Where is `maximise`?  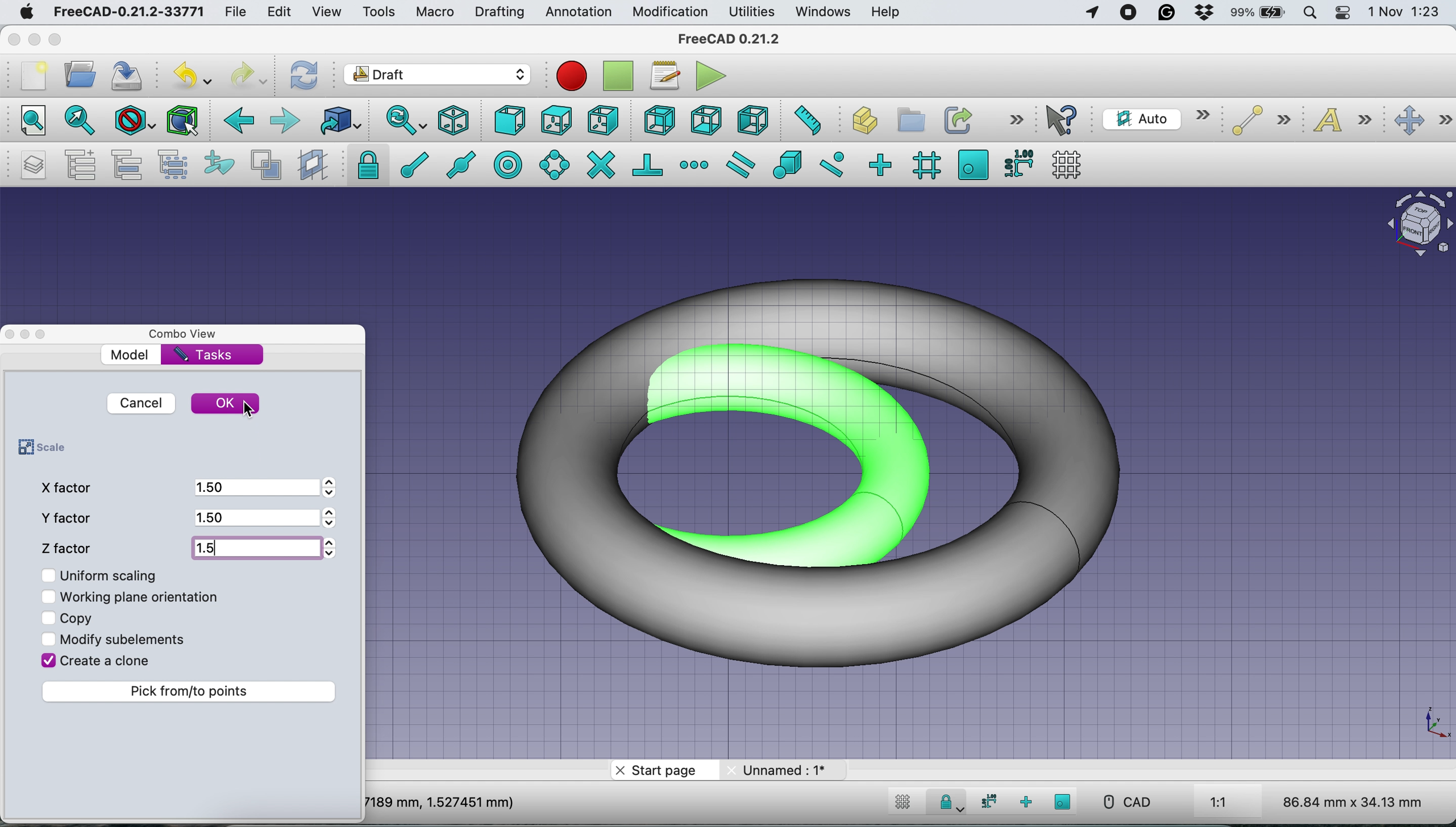
maximise is located at coordinates (57, 40).